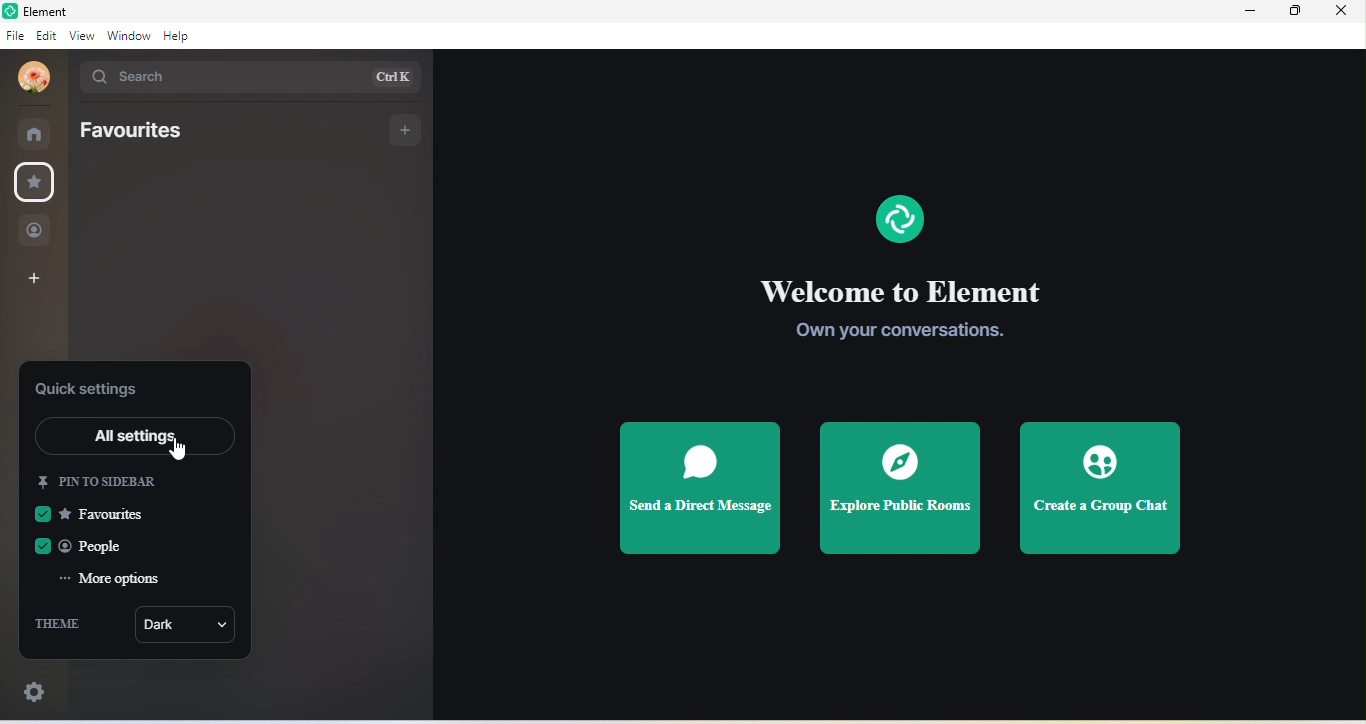 The height and width of the screenshot is (724, 1366). What do you see at coordinates (1346, 16) in the screenshot?
I see `close` at bounding box center [1346, 16].